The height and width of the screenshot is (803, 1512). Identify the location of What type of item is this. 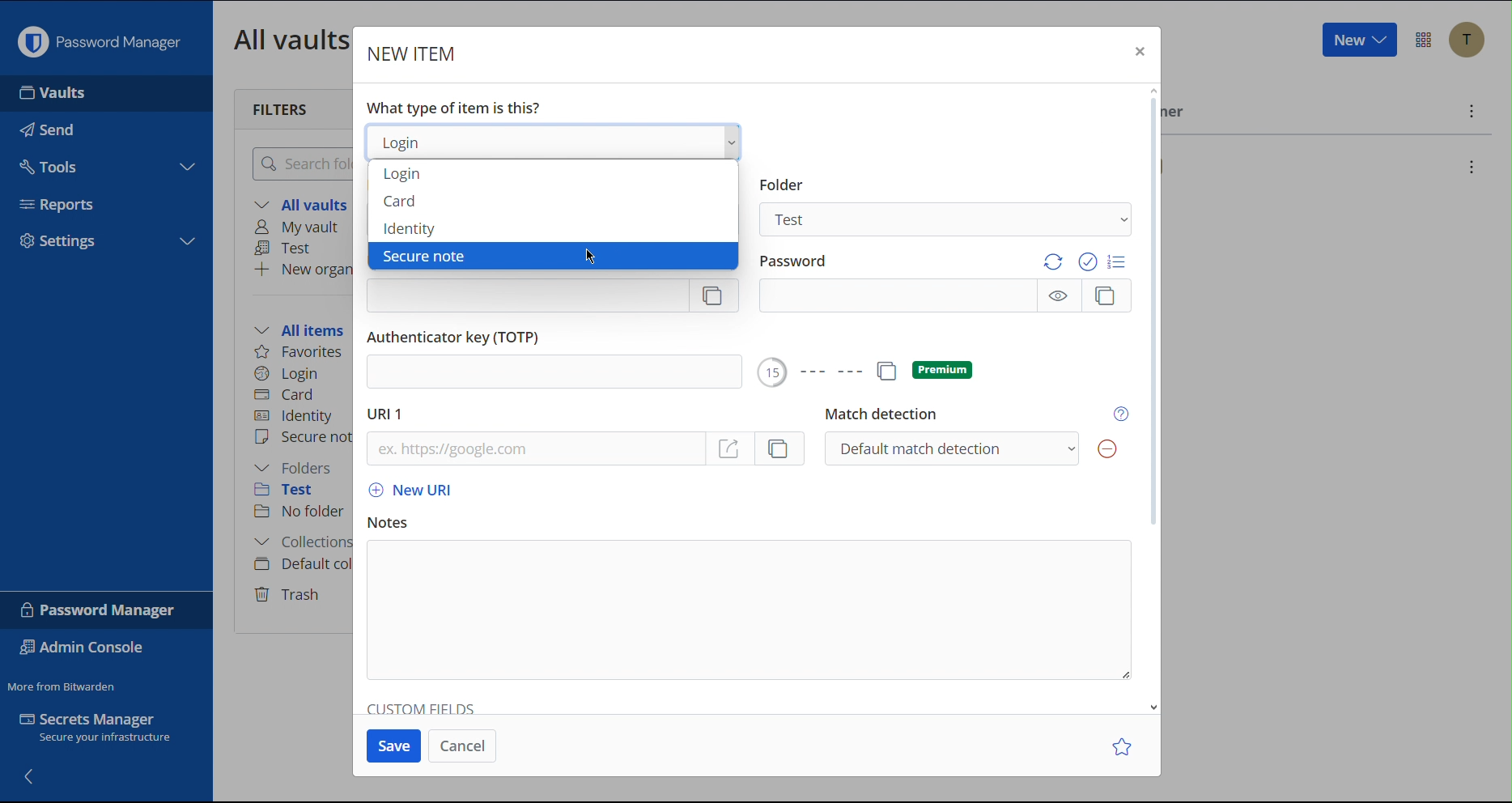
(452, 108).